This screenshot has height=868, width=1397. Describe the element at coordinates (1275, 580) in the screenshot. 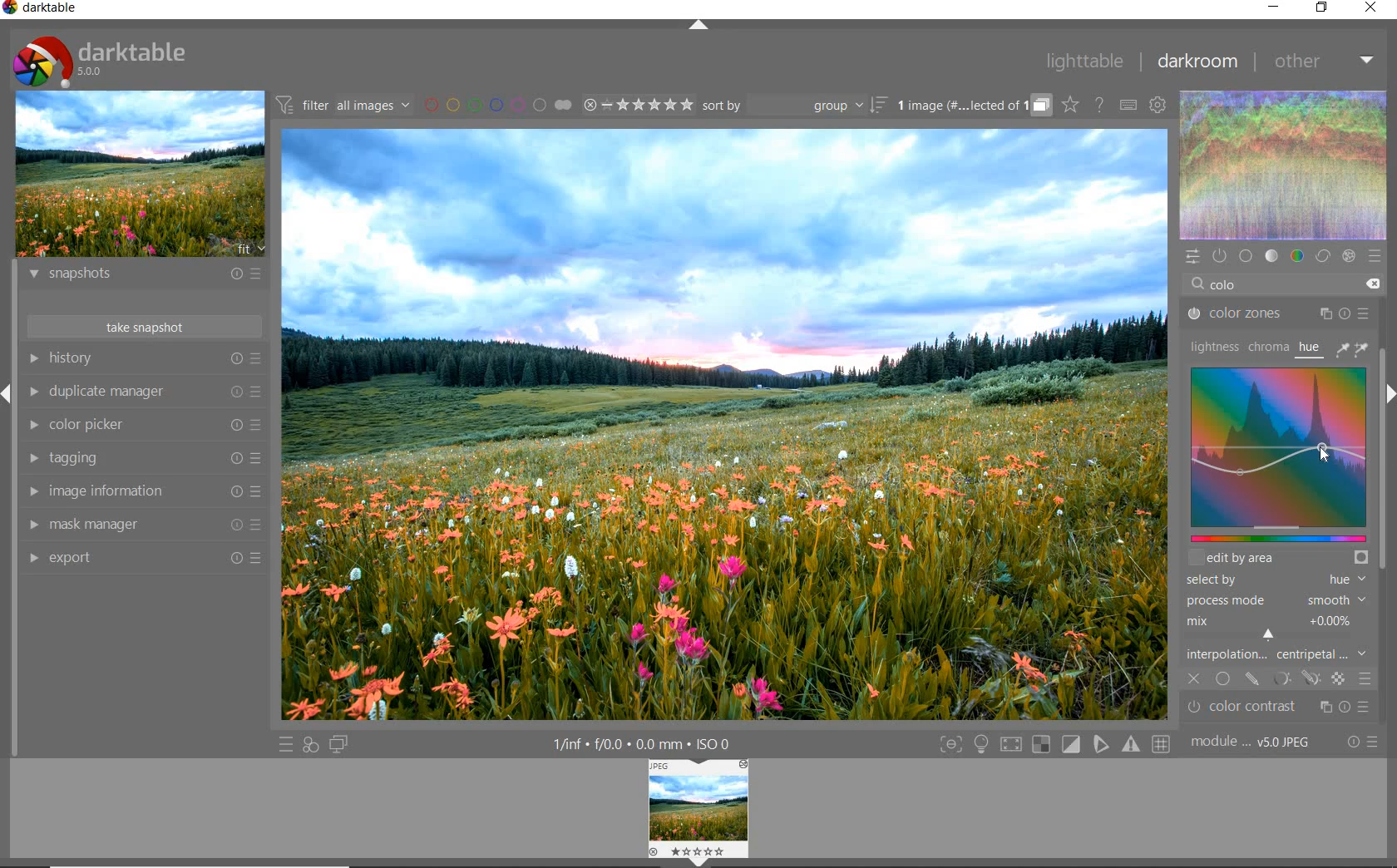

I see `select by` at that location.